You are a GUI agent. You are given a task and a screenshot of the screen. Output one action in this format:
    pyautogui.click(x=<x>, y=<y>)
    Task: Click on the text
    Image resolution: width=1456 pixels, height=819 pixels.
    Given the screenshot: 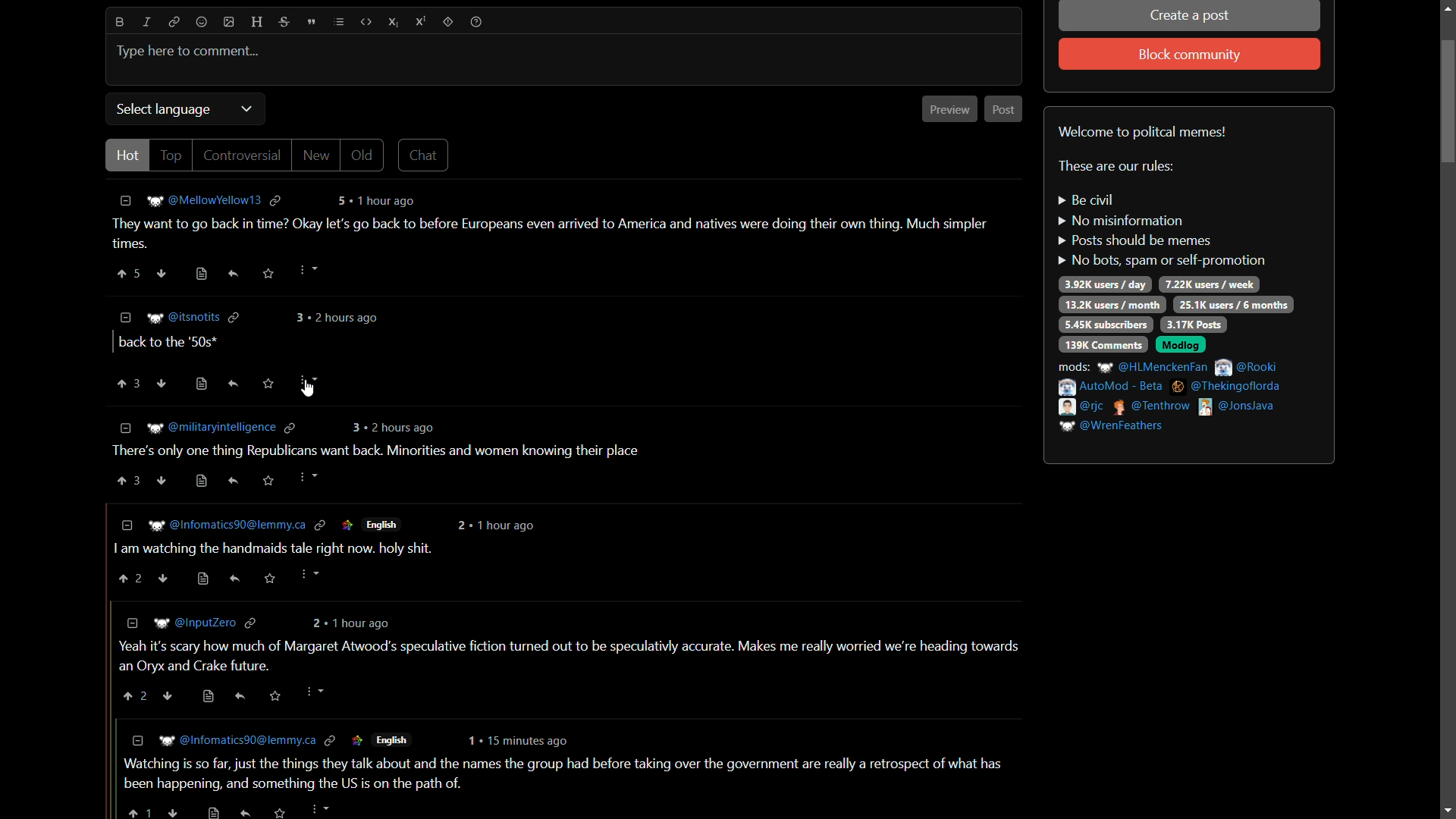 What is the action you would take?
    pyautogui.click(x=1116, y=167)
    